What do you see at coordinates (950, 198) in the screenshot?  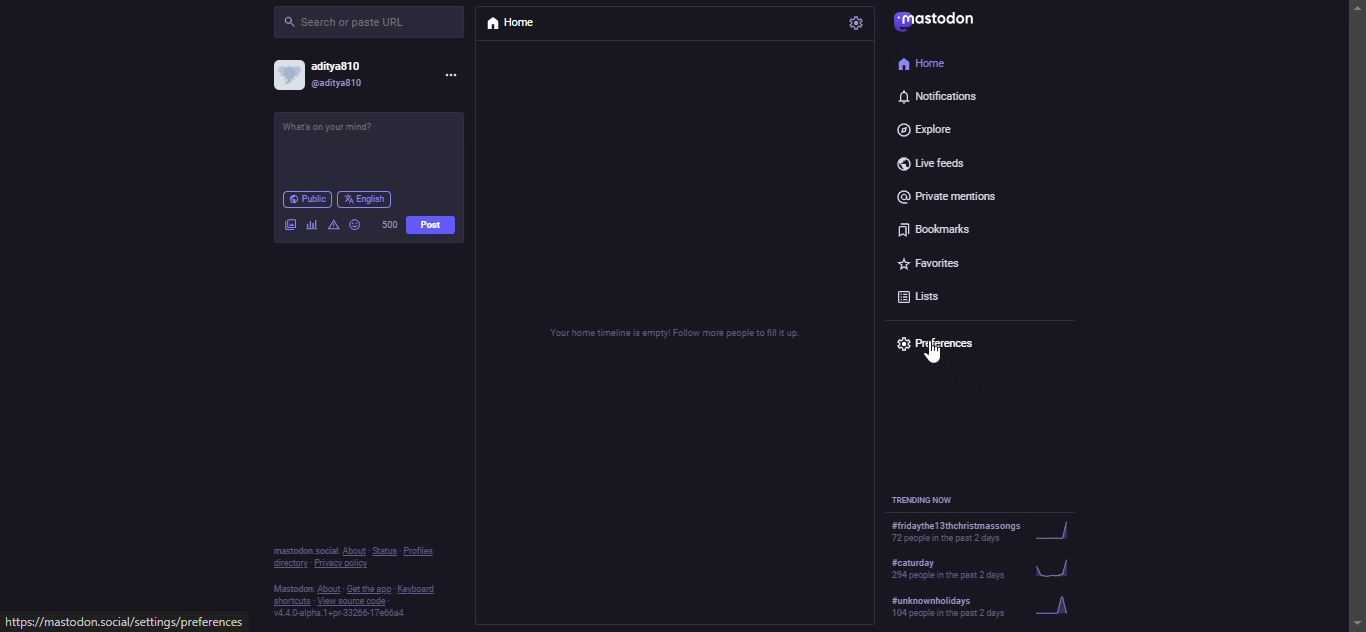 I see `private mentions` at bounding box center [950, 198].